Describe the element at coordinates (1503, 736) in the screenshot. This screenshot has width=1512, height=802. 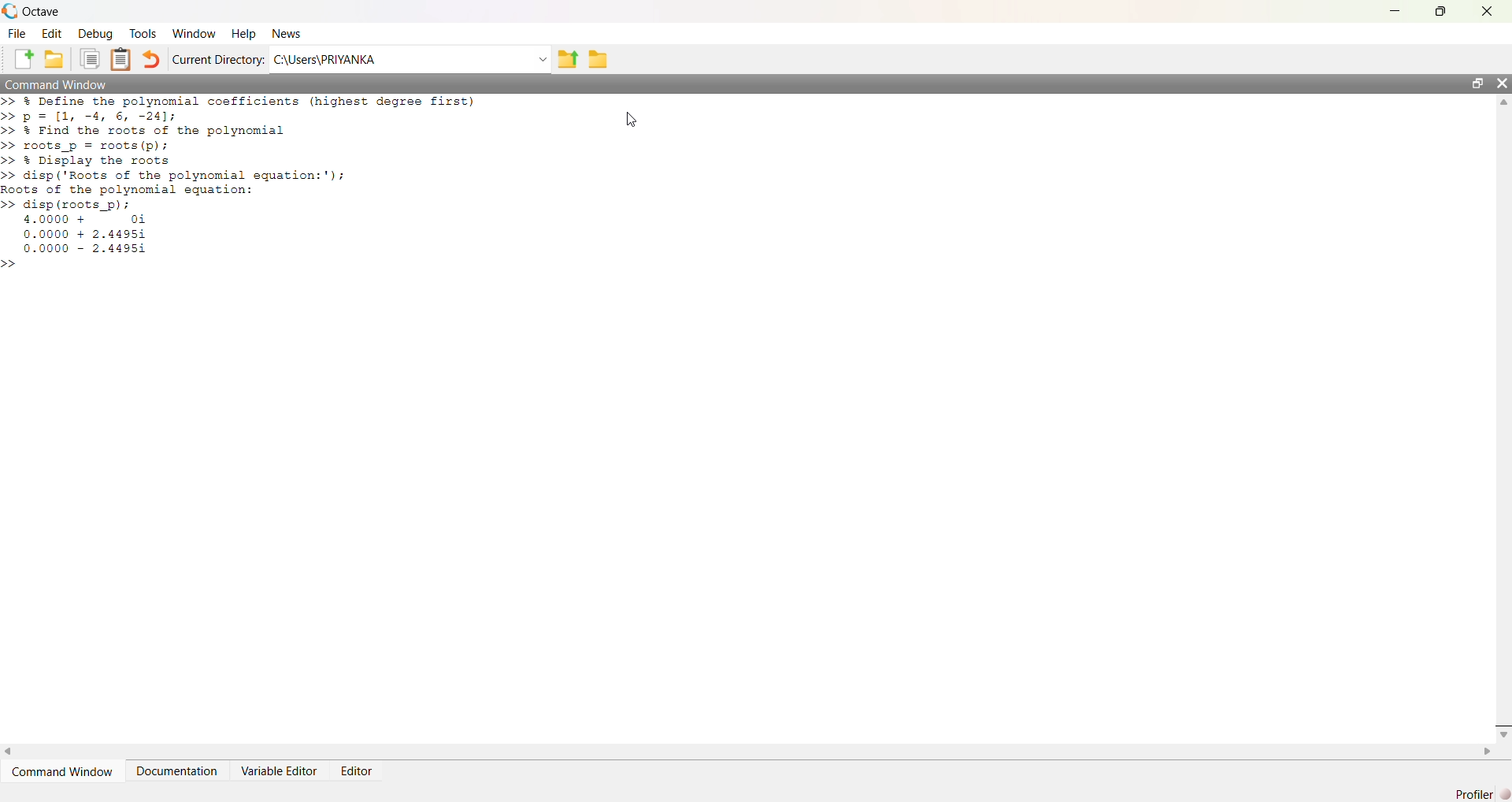
I see `Down Scroll` at that location.